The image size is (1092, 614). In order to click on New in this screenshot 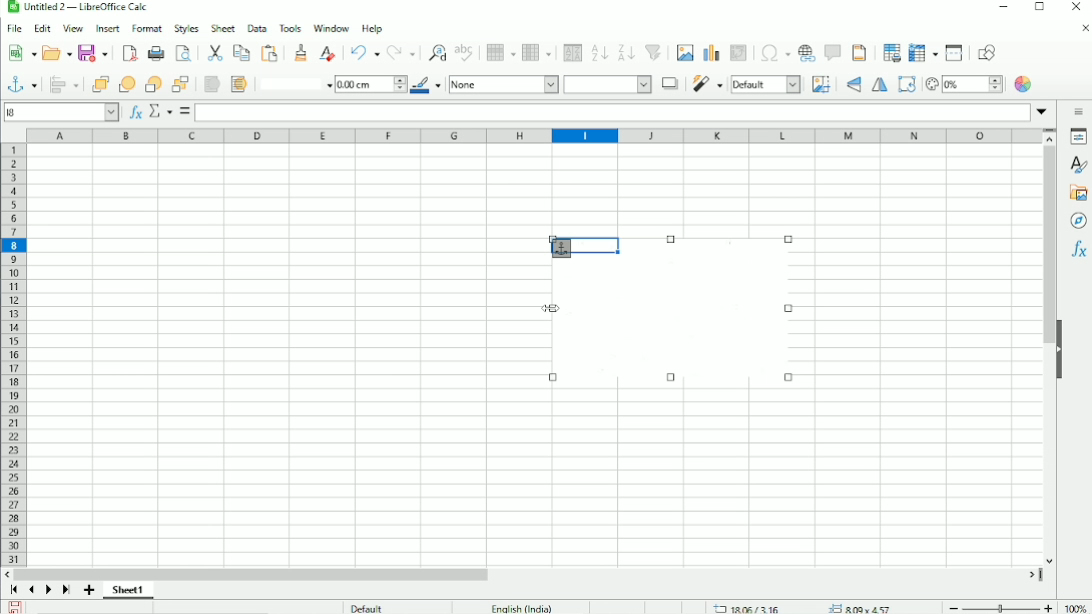, I will do `click(22, 53)`.